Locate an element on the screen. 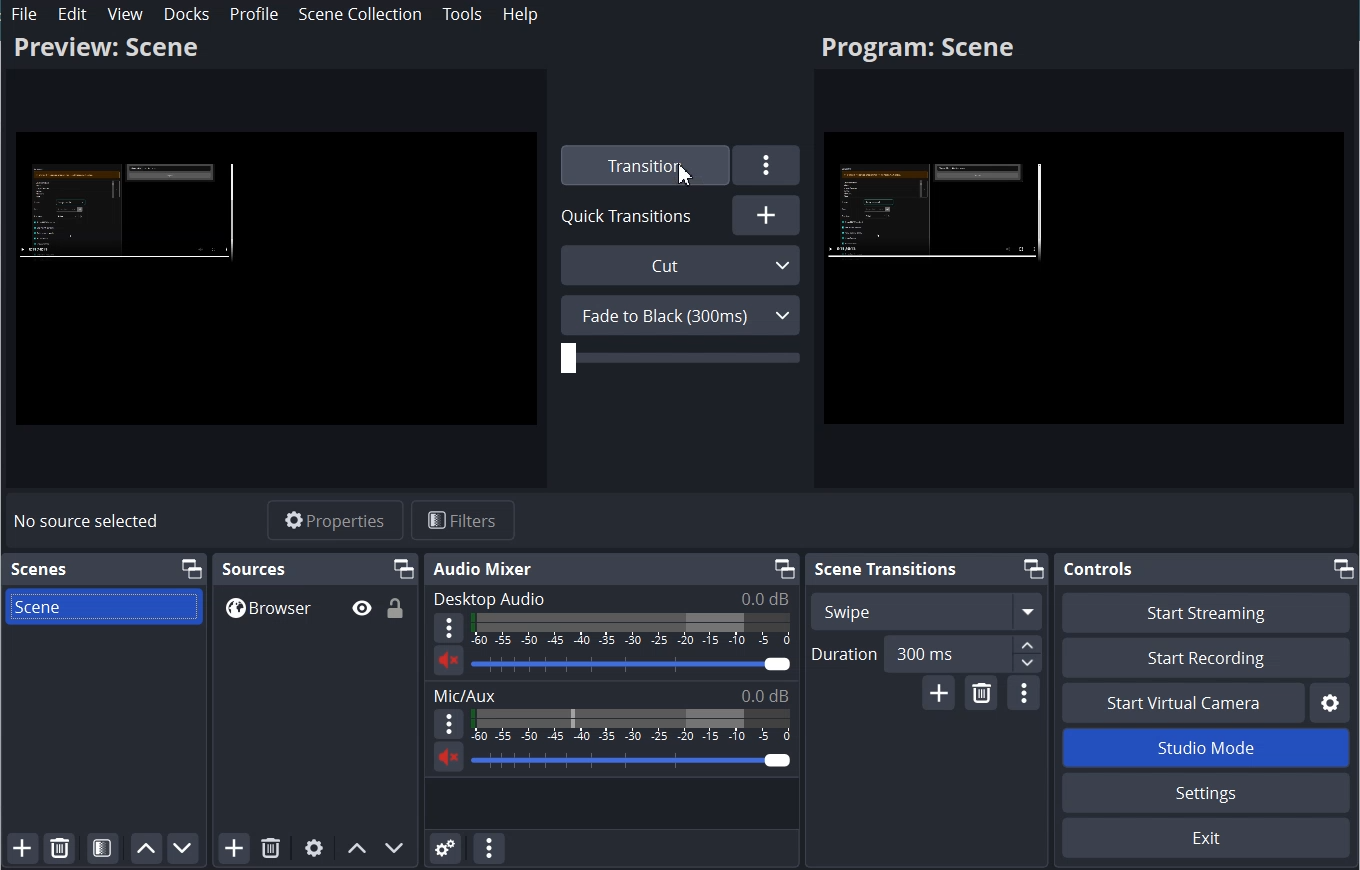 Image resolution: width=1360 pixels, height=870 pixels. Settings is located at coordinates (767, 165).